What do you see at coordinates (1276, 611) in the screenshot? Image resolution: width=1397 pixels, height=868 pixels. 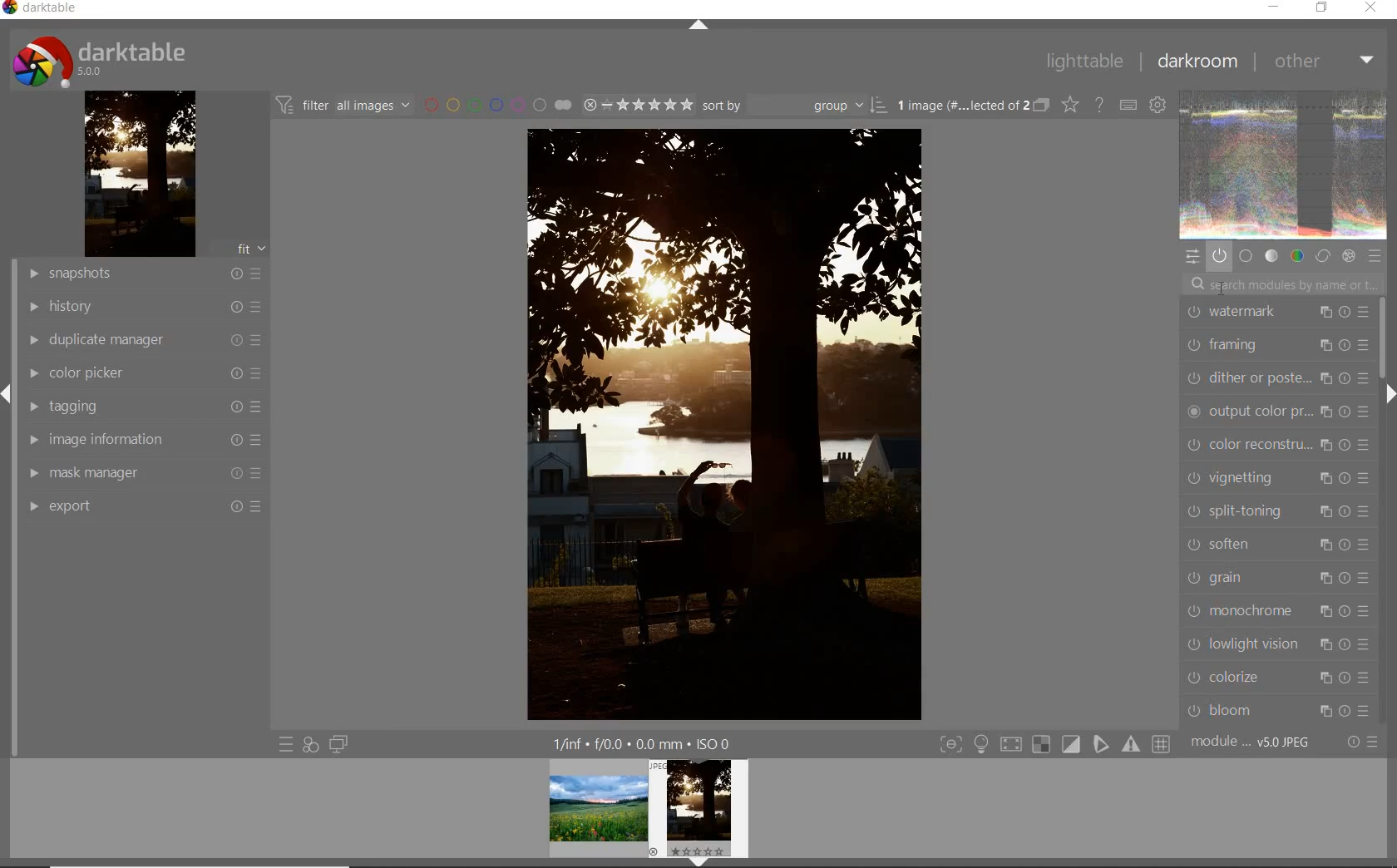 I see `monochrome` at bounding box center [1276, 611].